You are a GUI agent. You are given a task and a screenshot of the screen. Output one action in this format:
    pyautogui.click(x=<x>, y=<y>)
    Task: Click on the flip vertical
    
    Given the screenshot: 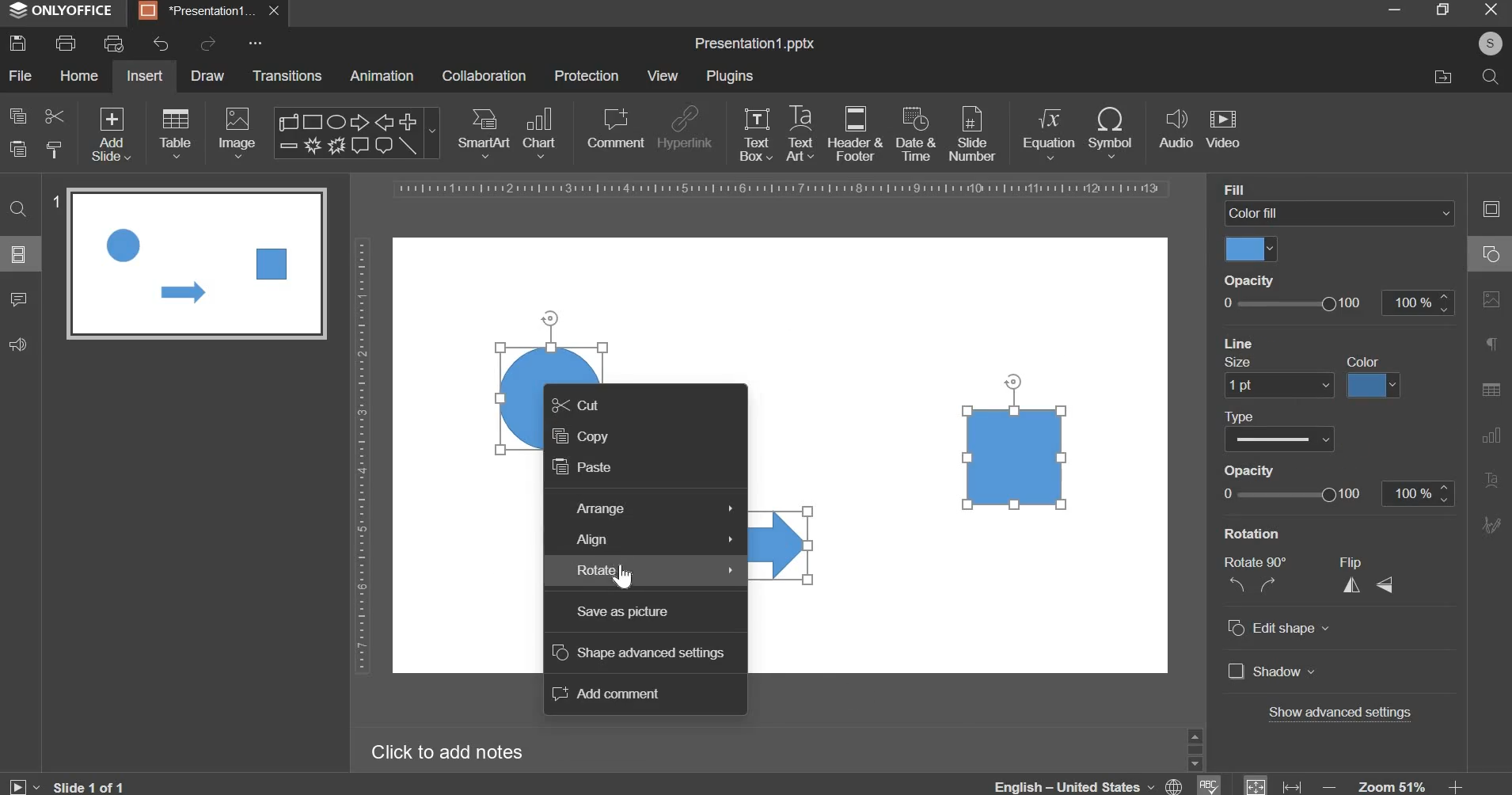 What is the action you would take?
    pyautogui.click(x=1387, y=584)
    